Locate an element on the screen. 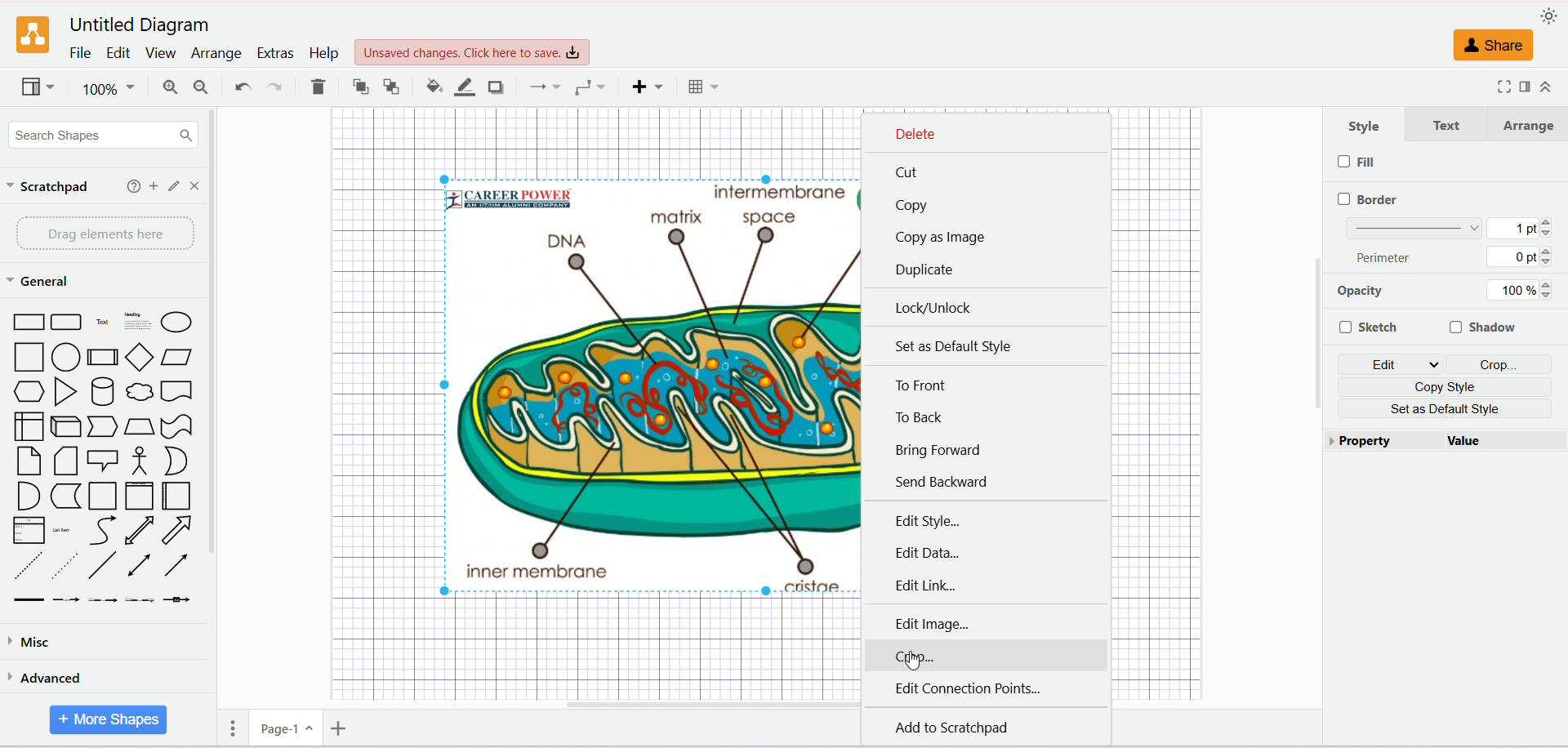 This screenshot has width=1568, height=748. Internal Document is located at coordinates (29, 427).